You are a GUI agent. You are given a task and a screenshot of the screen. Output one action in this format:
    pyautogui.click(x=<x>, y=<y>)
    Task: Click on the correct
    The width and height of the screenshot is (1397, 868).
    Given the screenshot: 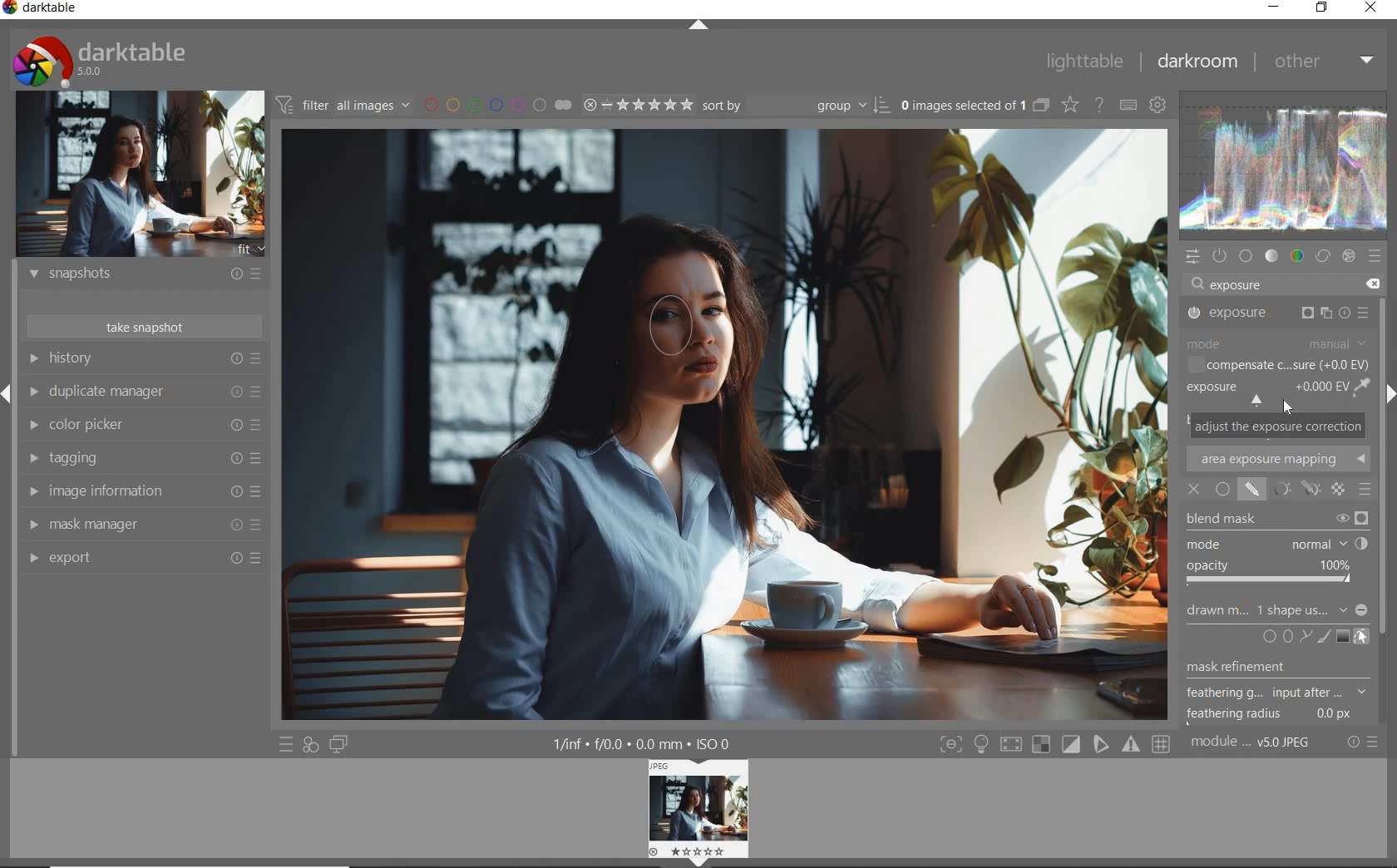 What is the action you would take?
    pyautogui.click(x=1321, y=256)
    